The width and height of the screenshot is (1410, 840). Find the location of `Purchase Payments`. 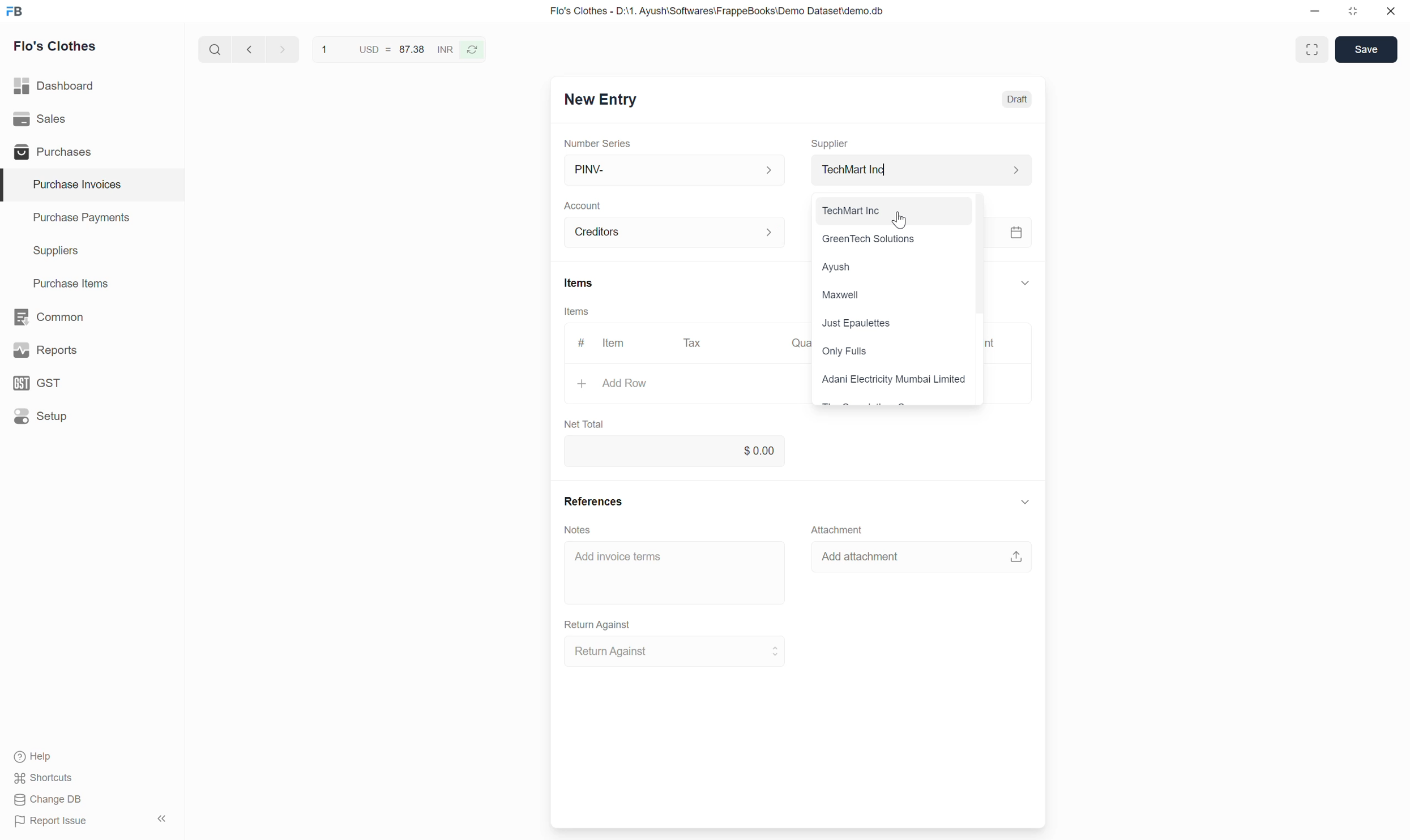

Purchase Payments is located at coordinates (80, 220).